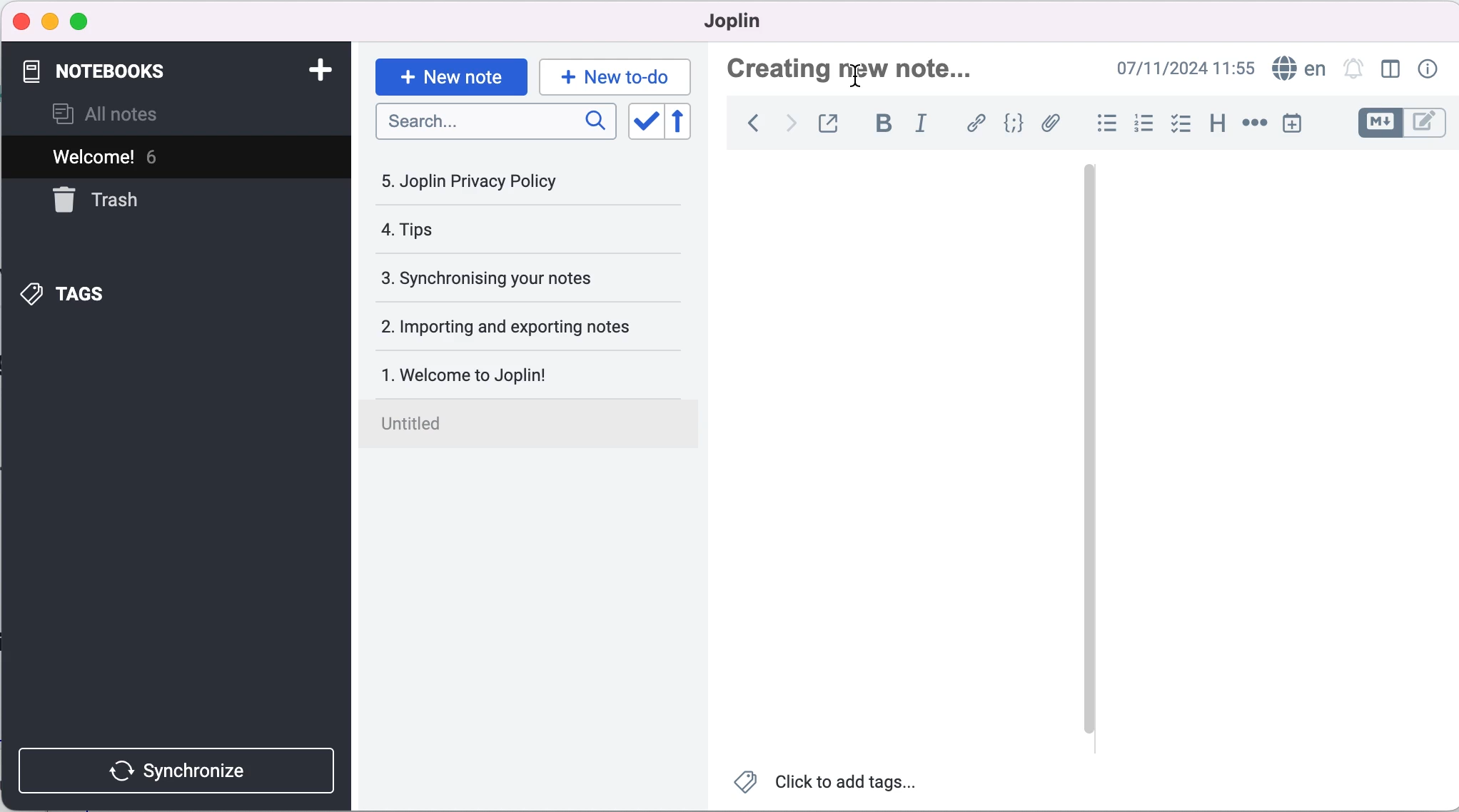  I want to click on add notebook, so click(313, 73).